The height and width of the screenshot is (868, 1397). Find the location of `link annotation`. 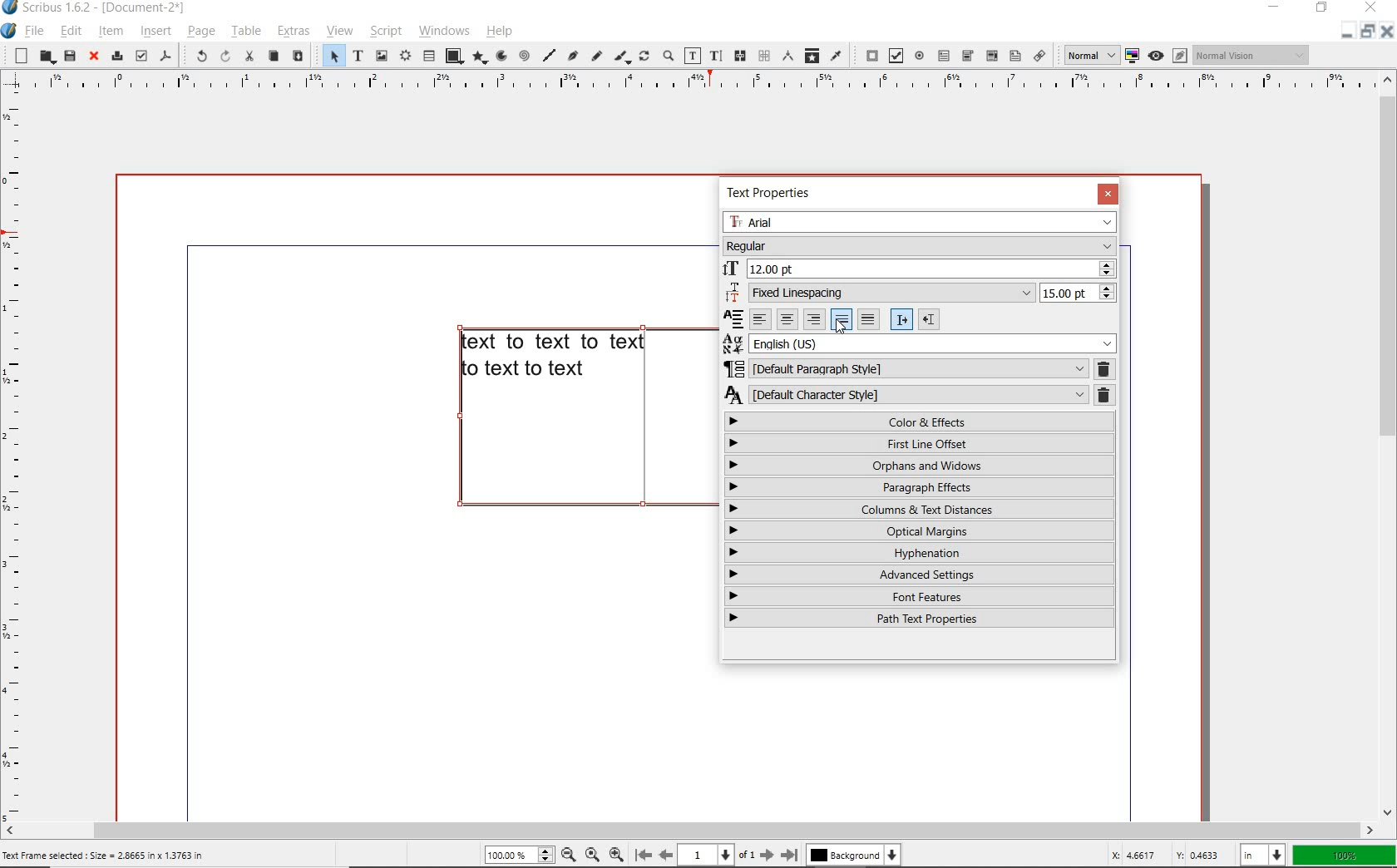

link annotation is located at coordinates (1038, 55).